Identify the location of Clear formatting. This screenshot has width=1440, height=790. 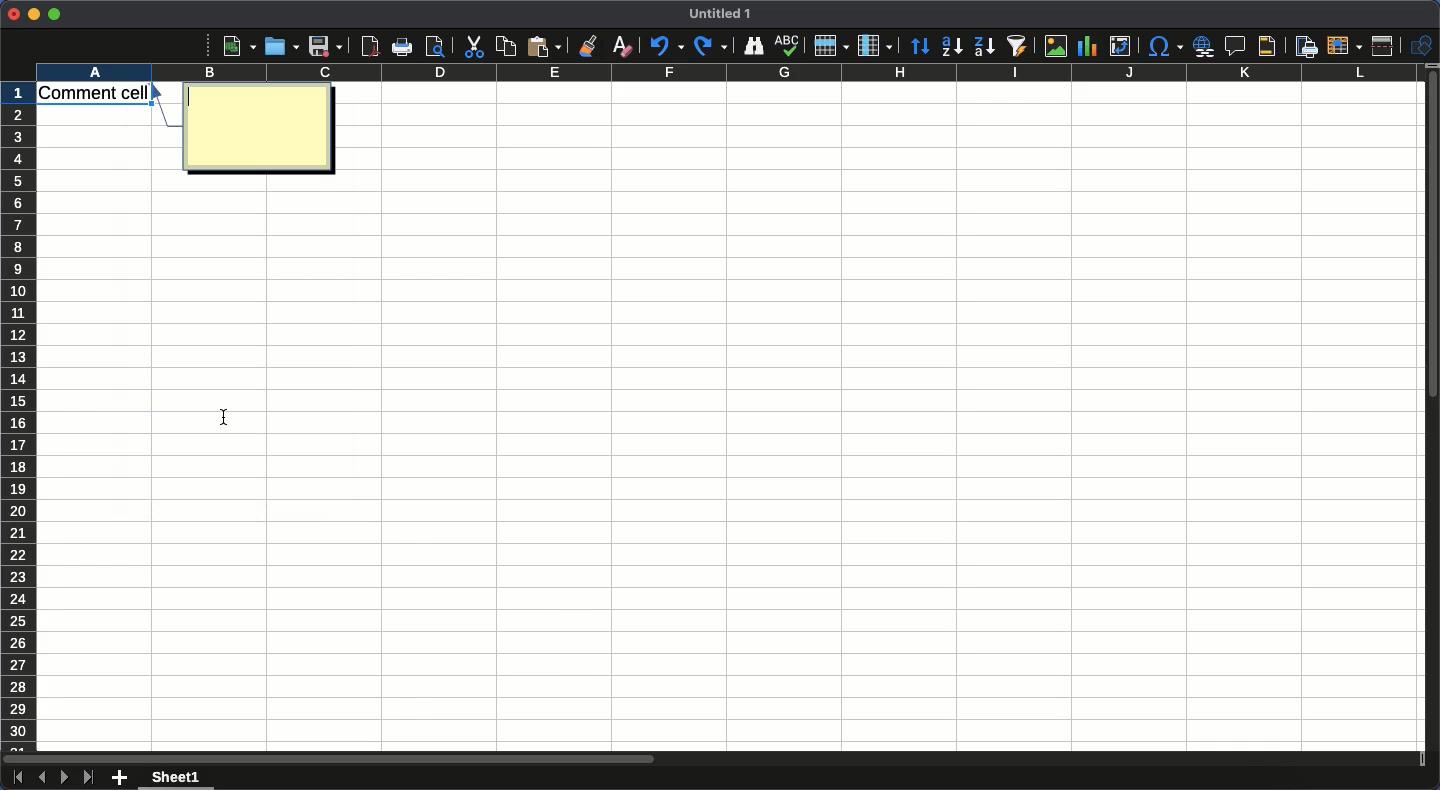
(625, 46).